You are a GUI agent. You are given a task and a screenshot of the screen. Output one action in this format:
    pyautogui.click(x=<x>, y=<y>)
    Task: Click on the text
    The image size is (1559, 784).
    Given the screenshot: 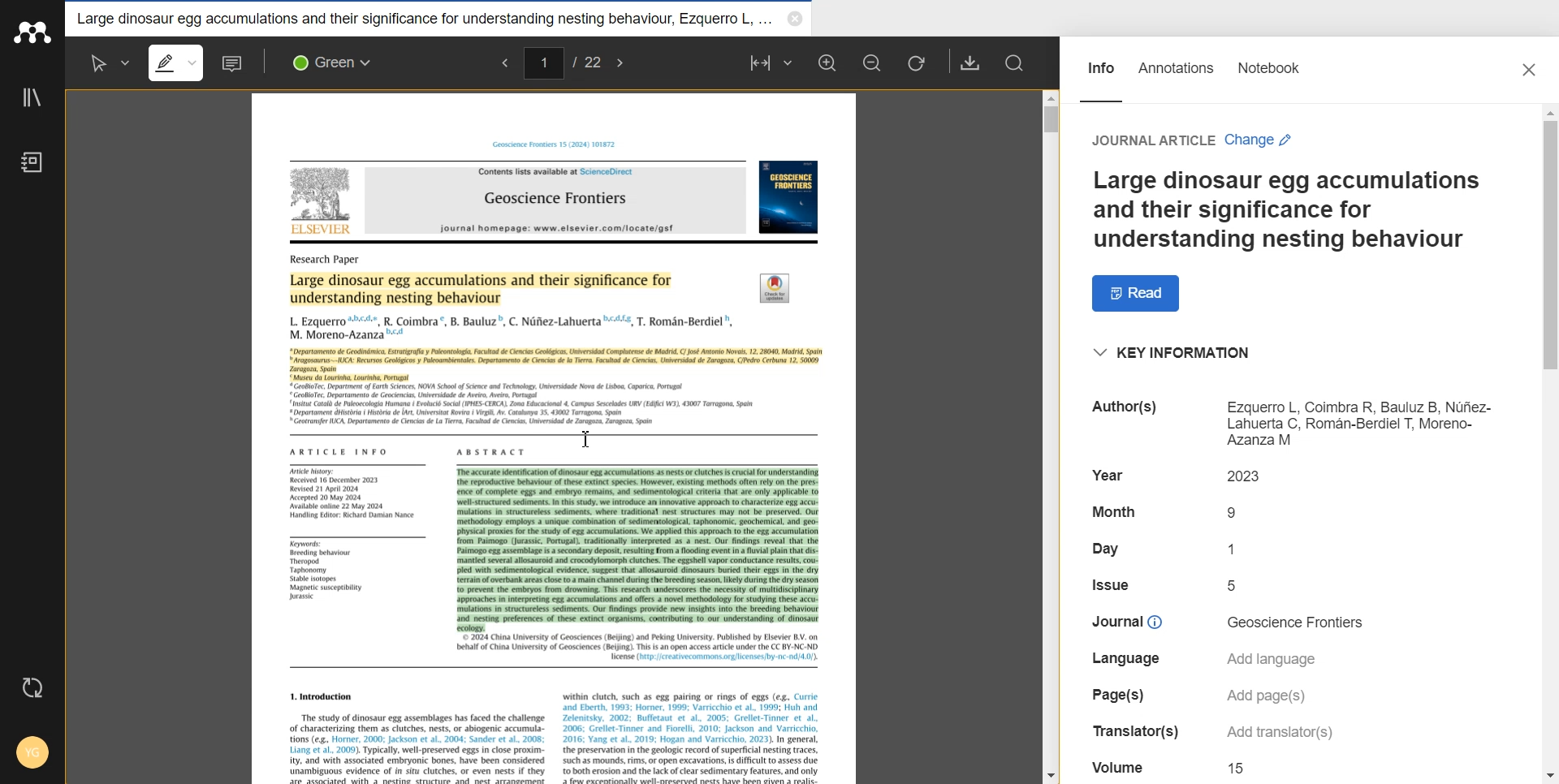 What is the action you would take?
    pyautogui.click(x=1276, y=658)
    